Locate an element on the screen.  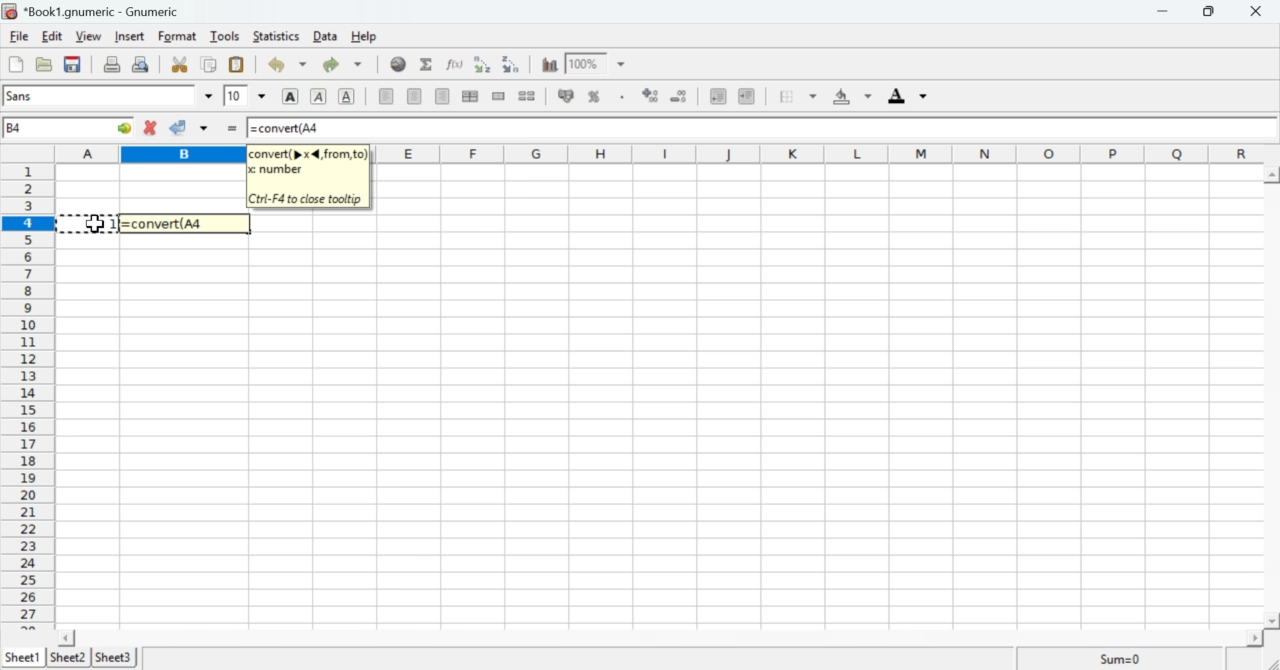
scroll left is located at coordinates (64, 638).